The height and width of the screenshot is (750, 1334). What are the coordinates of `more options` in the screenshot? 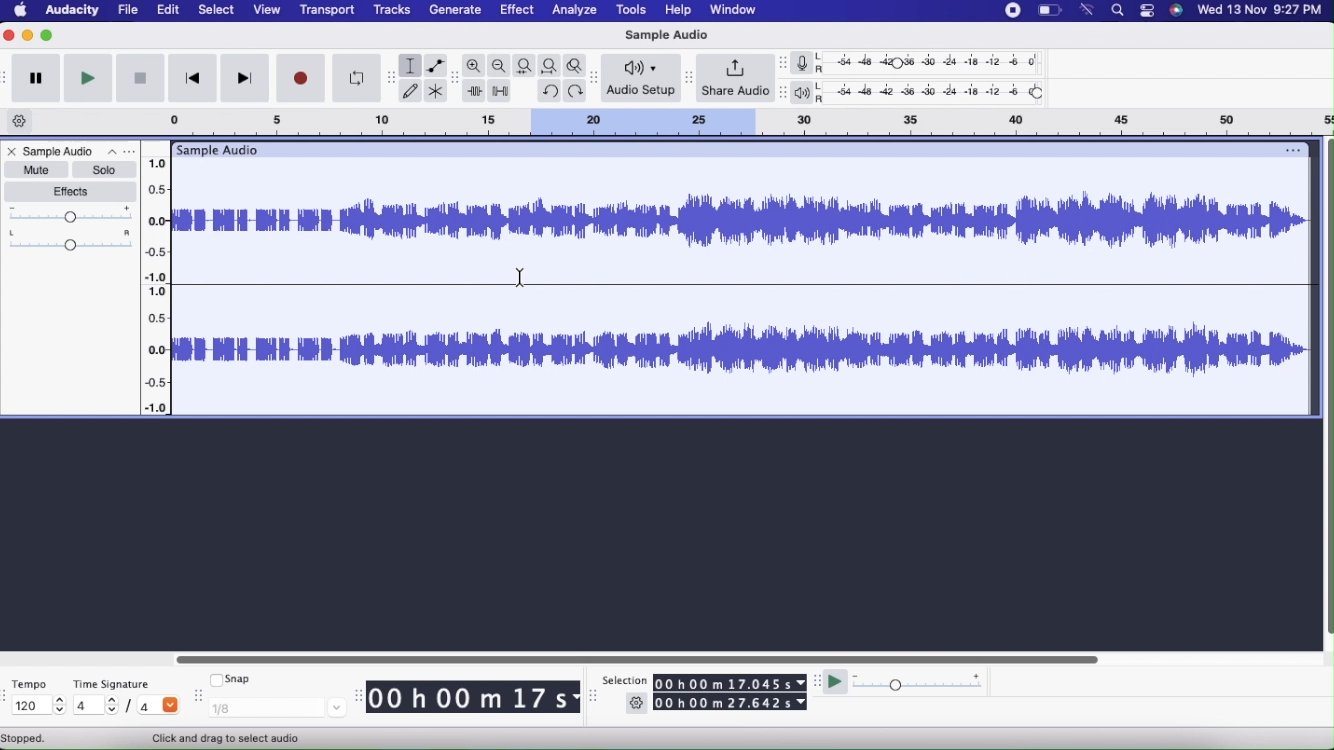 It's located at (119, 152).